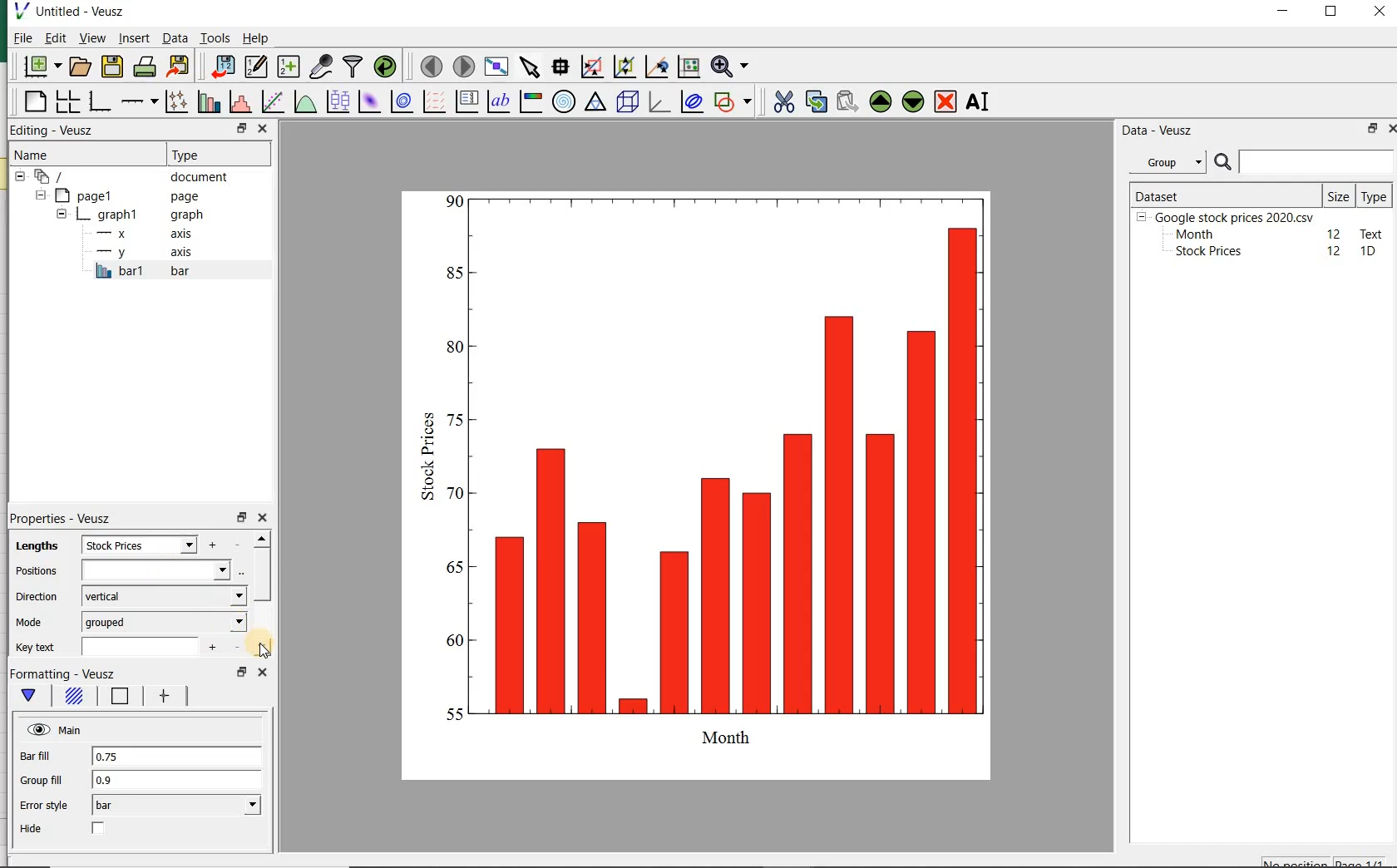 The width and height of the screenshot is (1397, 868). I want to click on 1D, so click(1370, 252).